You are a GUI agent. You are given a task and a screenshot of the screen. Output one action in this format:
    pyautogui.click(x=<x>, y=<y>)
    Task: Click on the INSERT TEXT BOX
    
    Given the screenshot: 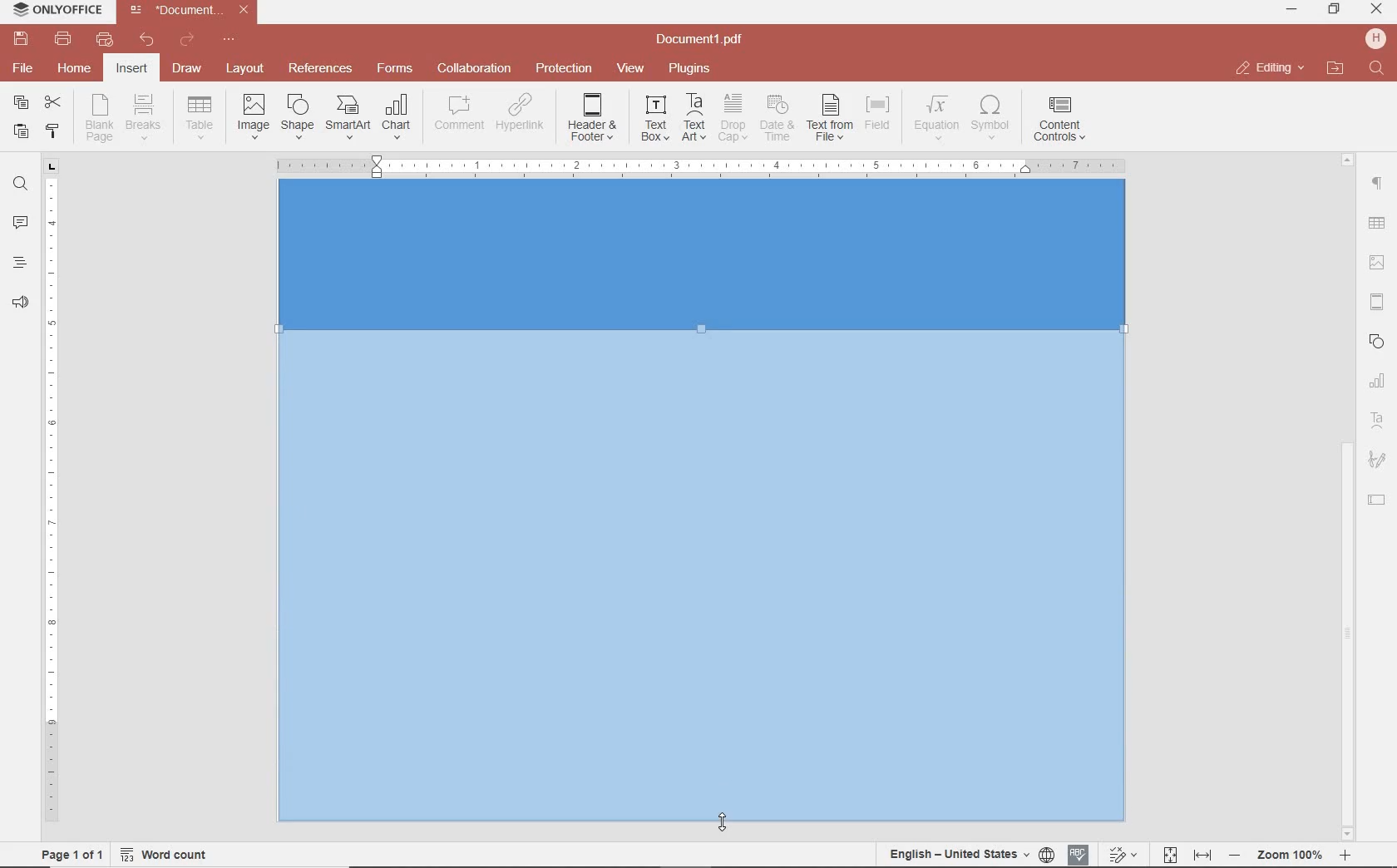 What is the action you would take?
    pyautogui.click(x=654, y=117)
    